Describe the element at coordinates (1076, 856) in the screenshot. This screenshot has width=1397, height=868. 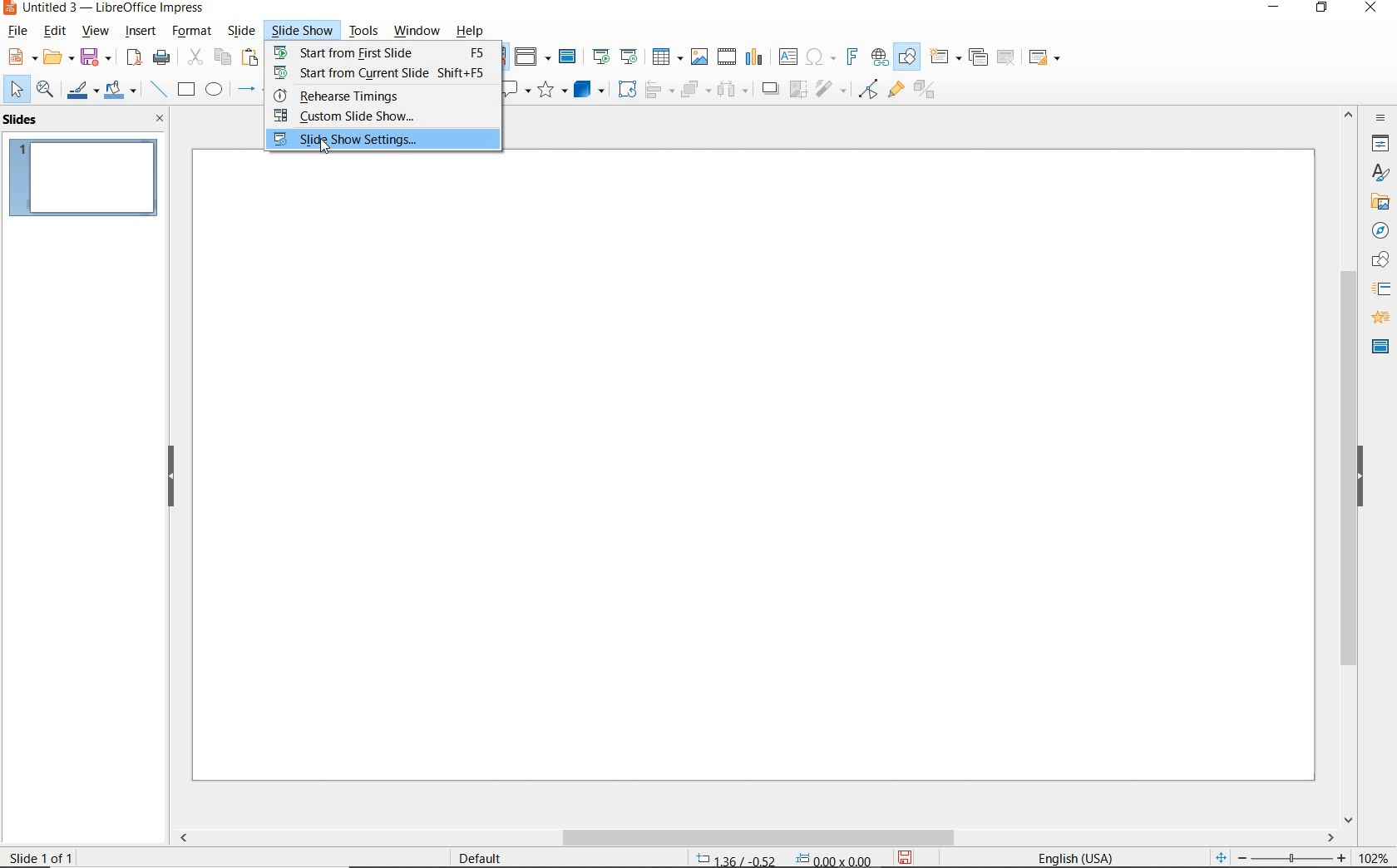
I see `TEXT LANGUAGE` at that location.